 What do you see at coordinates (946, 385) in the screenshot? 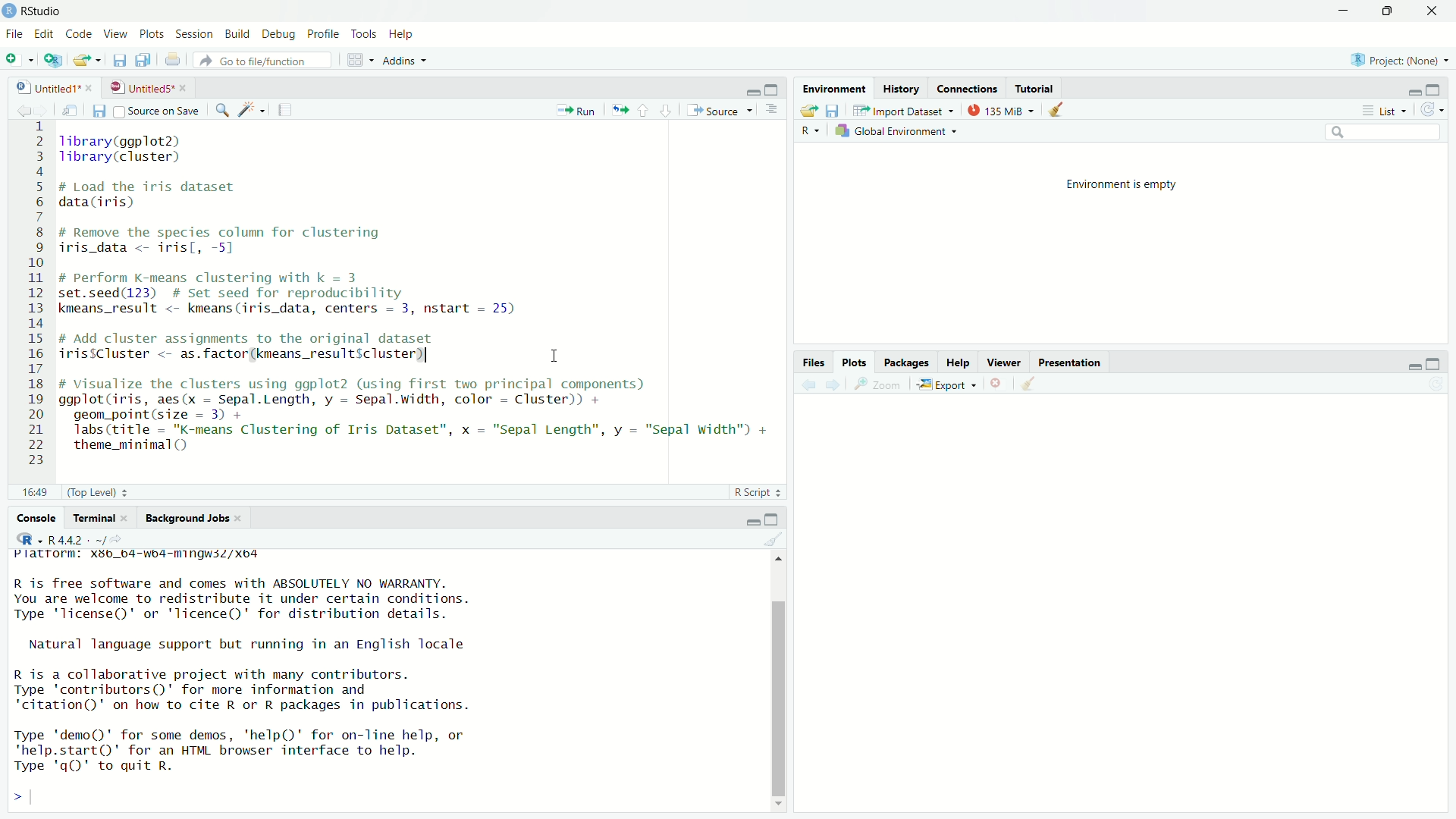
I see `export` at bounding box center [946, 385].